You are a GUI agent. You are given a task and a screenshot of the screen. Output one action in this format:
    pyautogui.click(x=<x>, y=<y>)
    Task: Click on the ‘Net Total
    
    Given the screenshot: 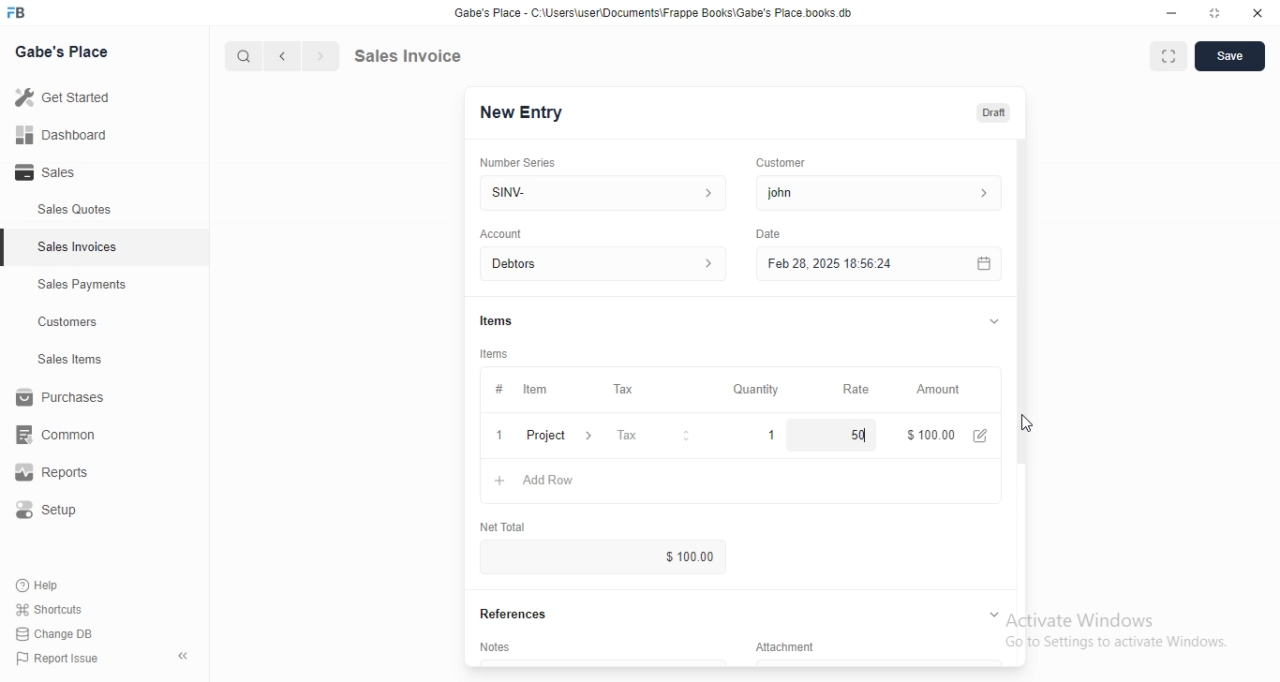 What is the action you would take?
    pyautogui.click(x=511, y=524)
    